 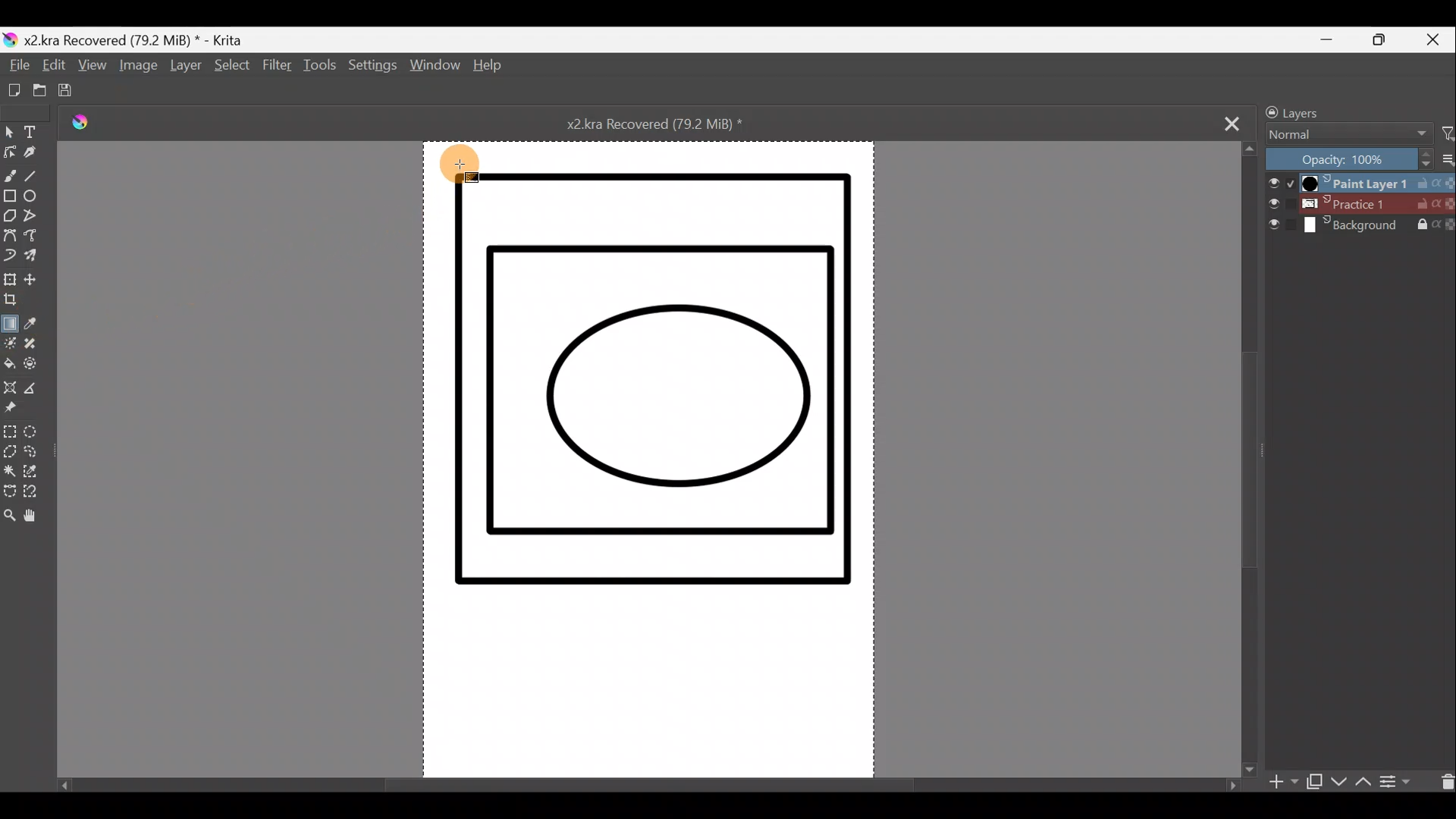 What do you see at coordinates (34, 324) in the screenshot?
I see `Sample a colour from the image/current layer` at bounding box center [34, 324].